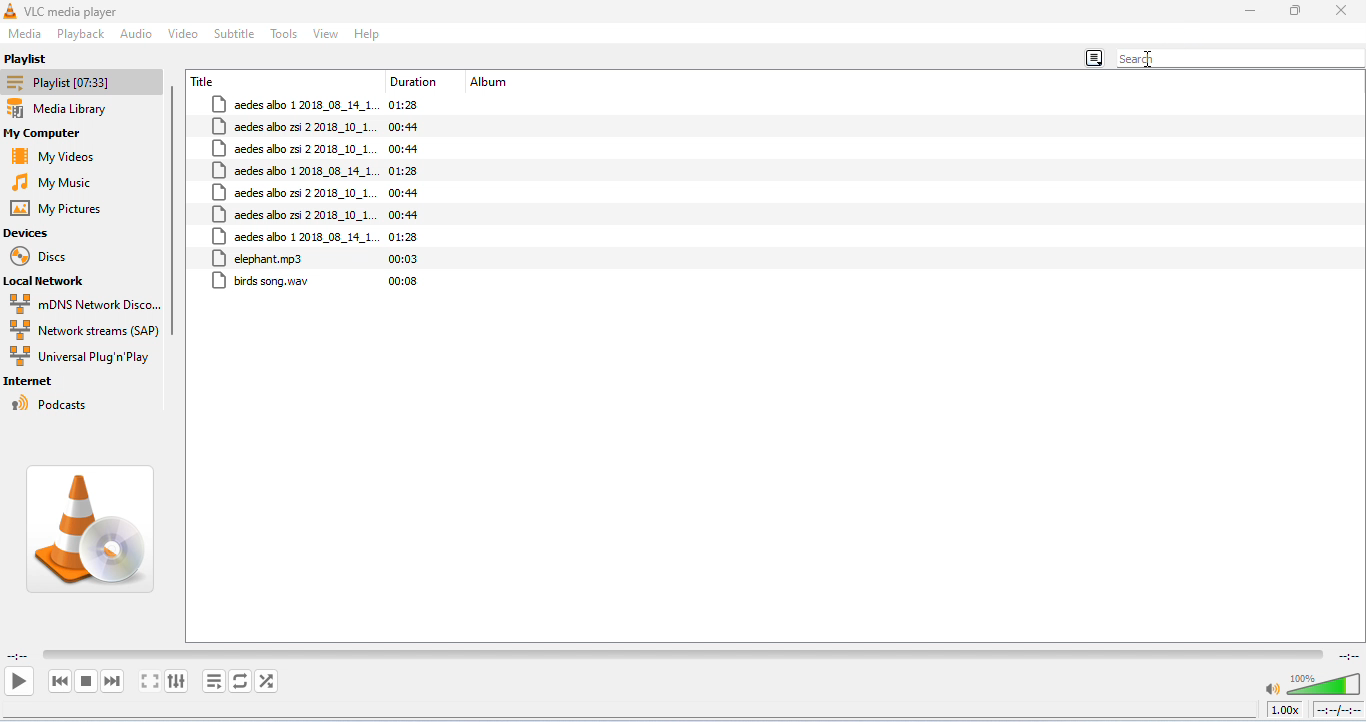 The image size is (1366, 722). Describe the element at coordinates (1149, 60) in the screenshot. I see `Cursor Position` at that location.